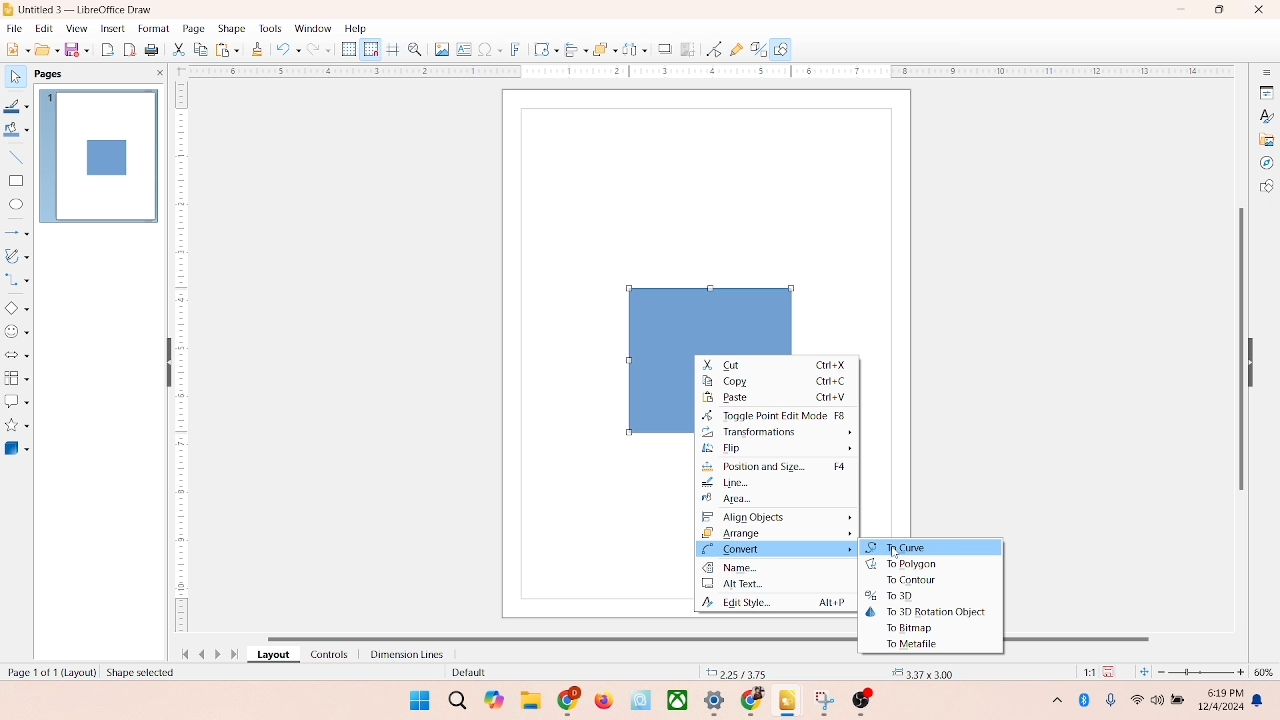 Image resolution: width=1280 pixels, height=720 pixels. What do you see at coordinates (414, 48) in the screenshot?
I see `zoom and pan` at bounding box center [414, 48].